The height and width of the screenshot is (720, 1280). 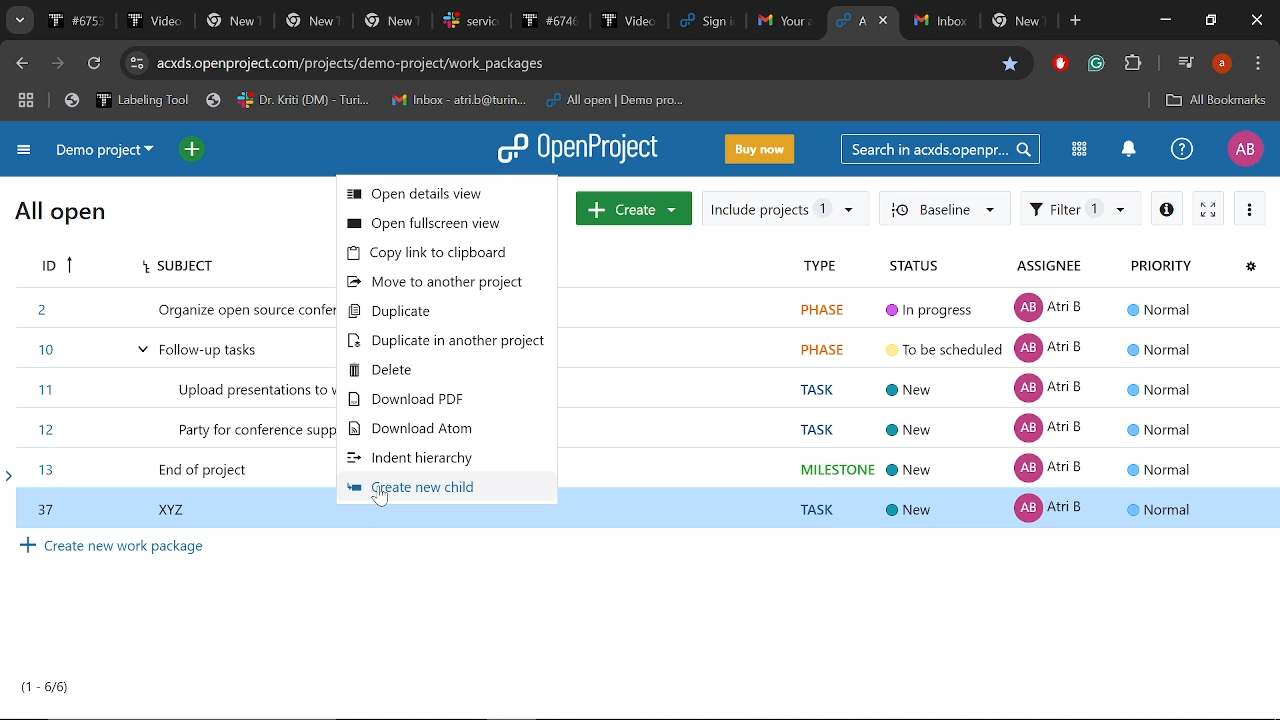 I want to click on profile, so click(x=1222, y=63).